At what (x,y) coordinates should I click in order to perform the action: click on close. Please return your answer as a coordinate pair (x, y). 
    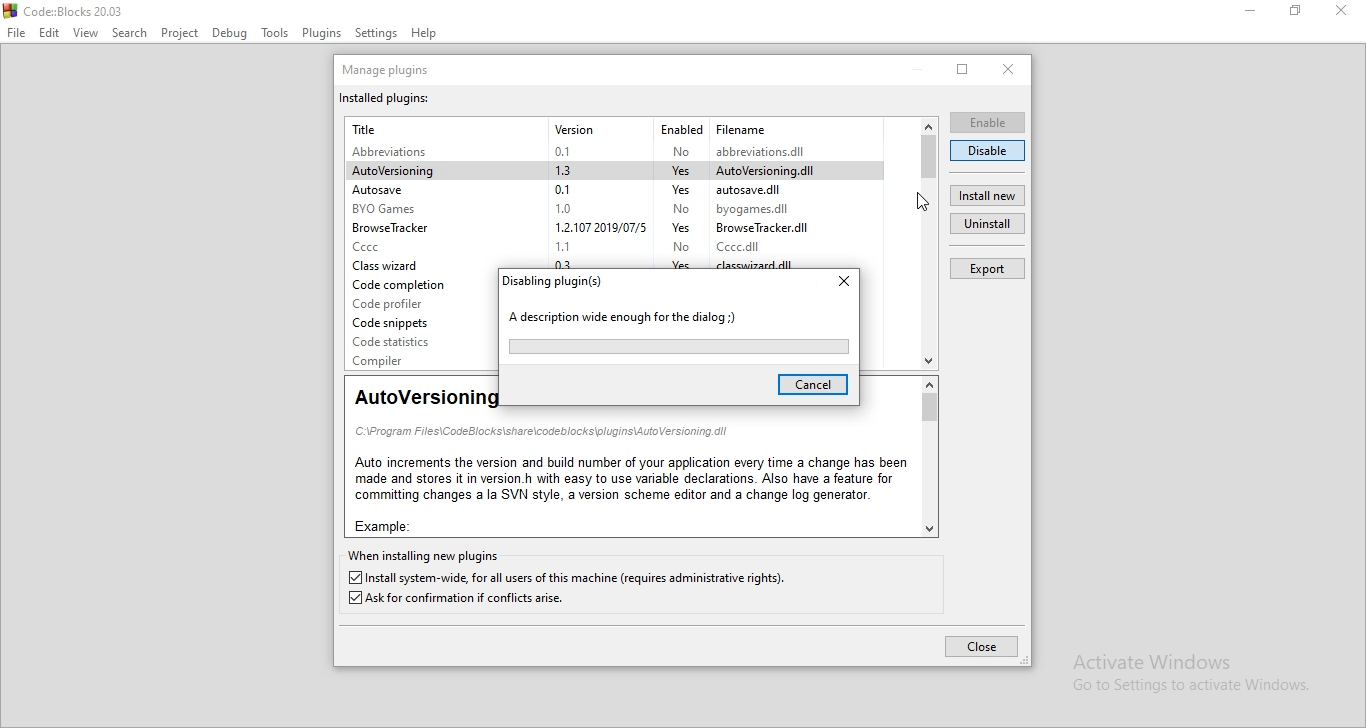
    Looking at the image, I should click on (1339, 12).